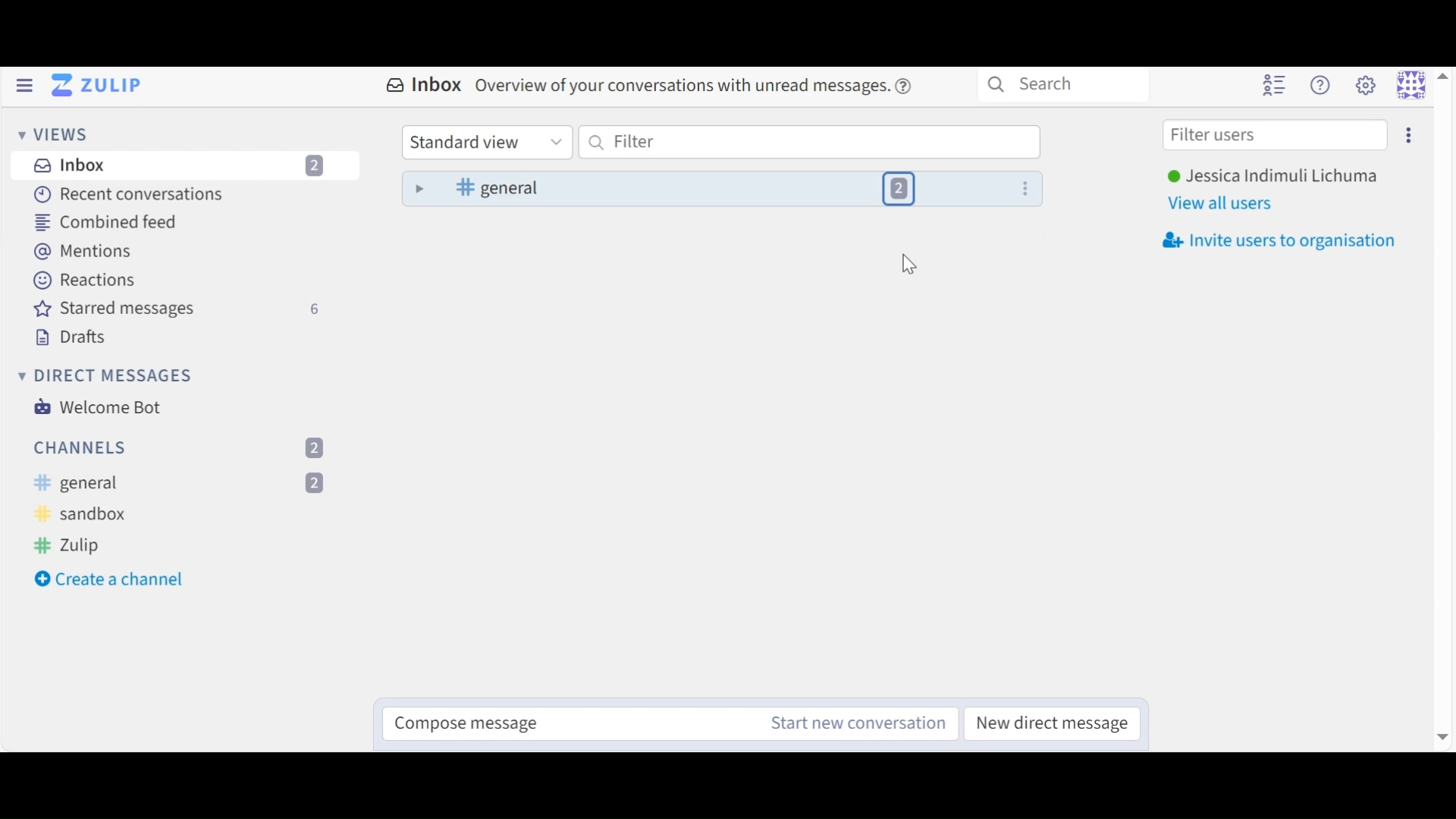 This screenshot has height=819, width=1456. Describe the element at coordinates (1364, 86) in the screenshot. I see `main menu` at that location.